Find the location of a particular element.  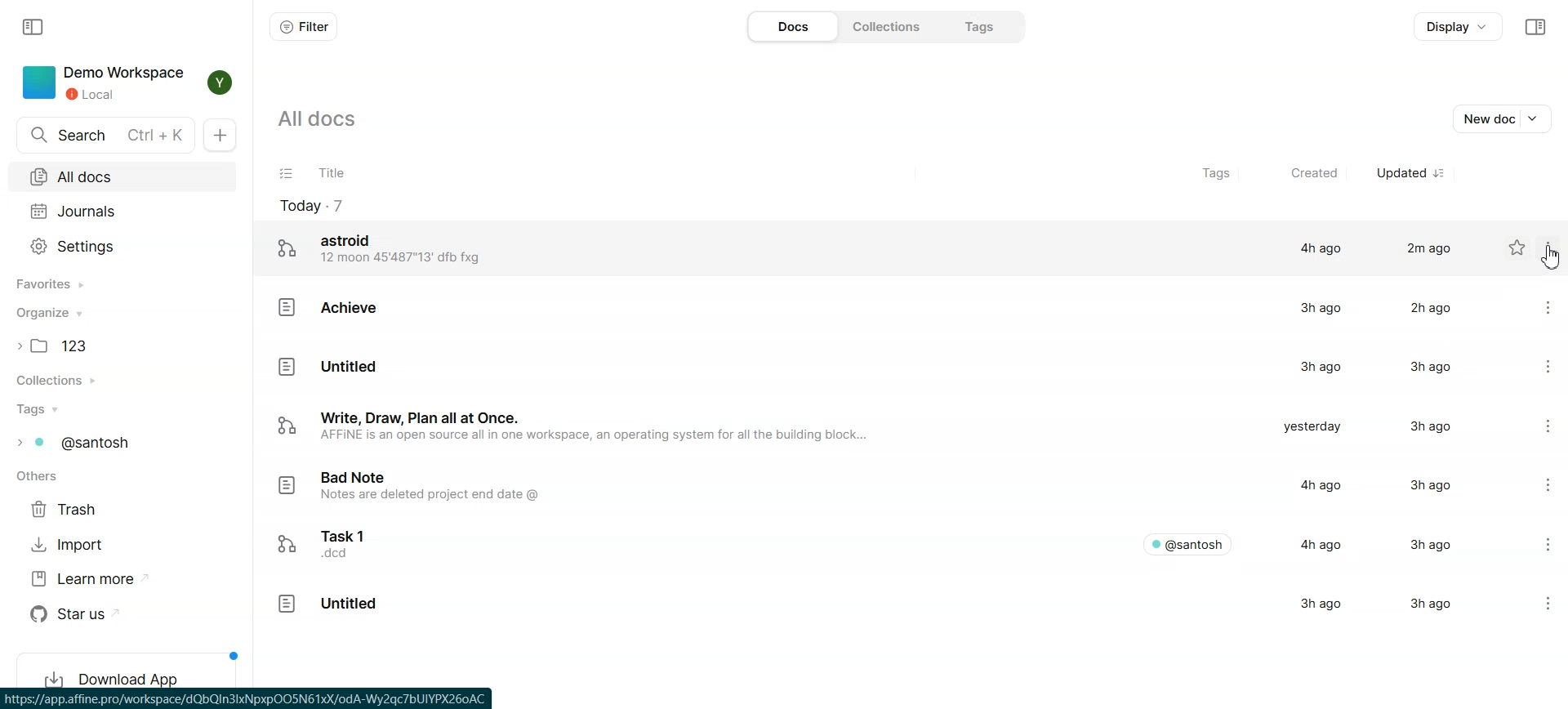

Collection is located at coordinates (122, 381).